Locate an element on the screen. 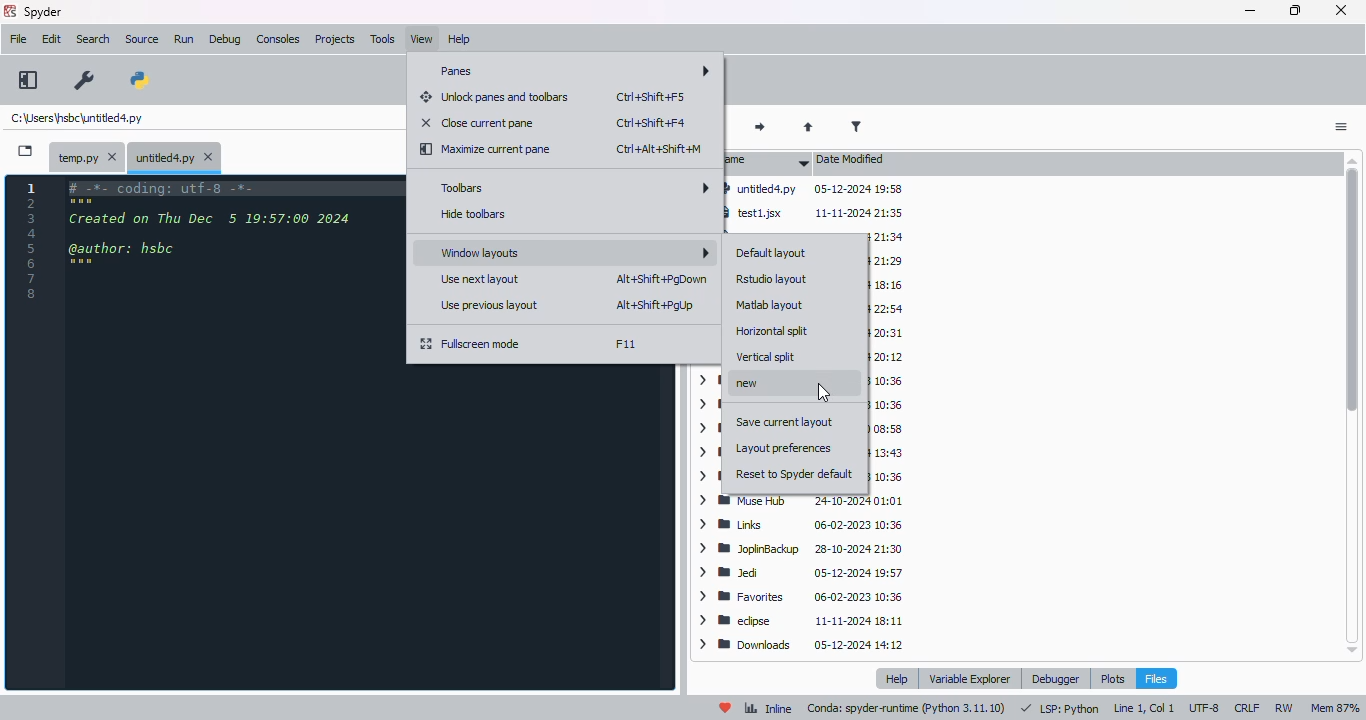  CRLF is located at coordinates (1249, 707).